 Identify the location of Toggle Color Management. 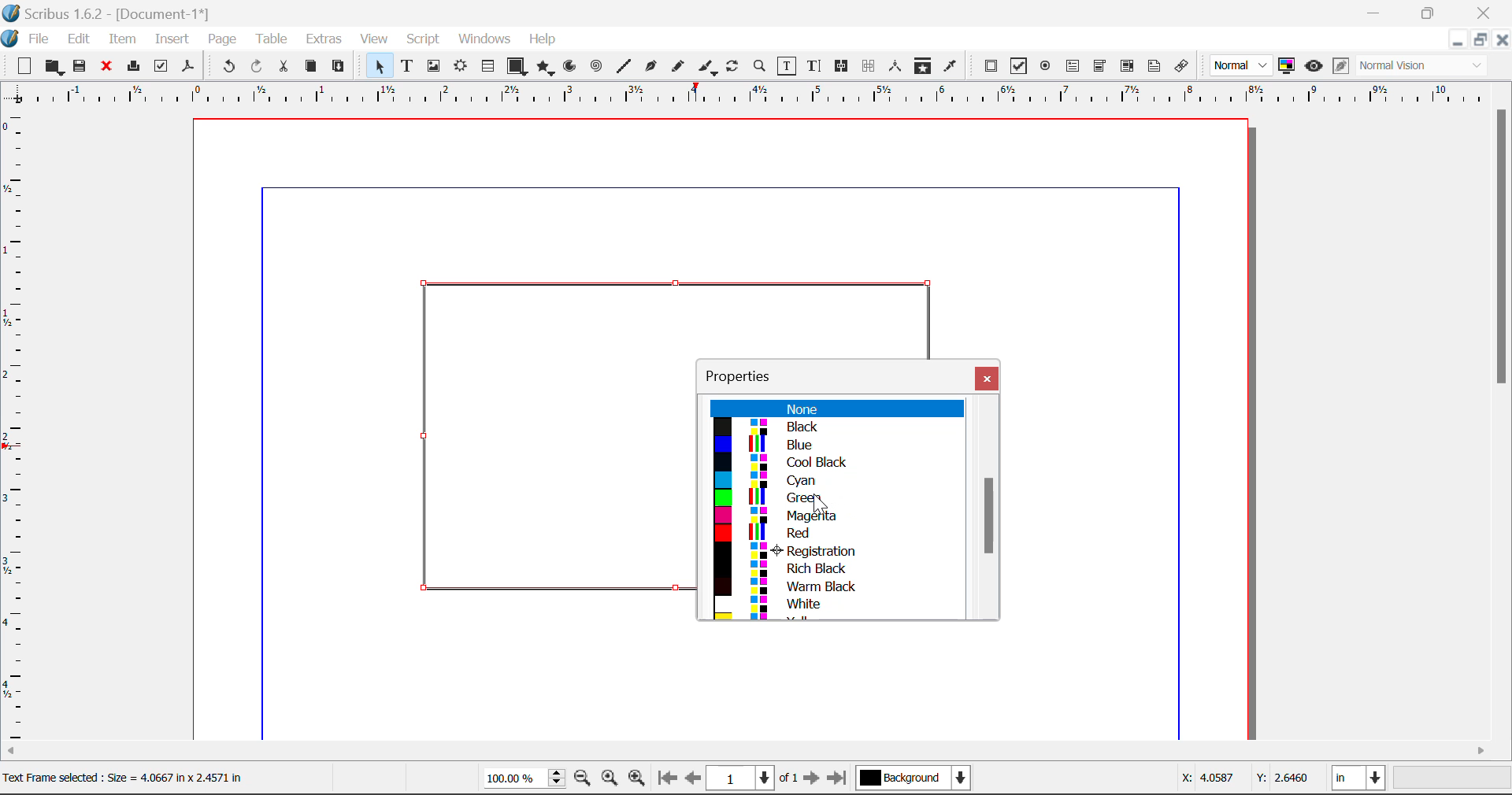
(1288, 67).